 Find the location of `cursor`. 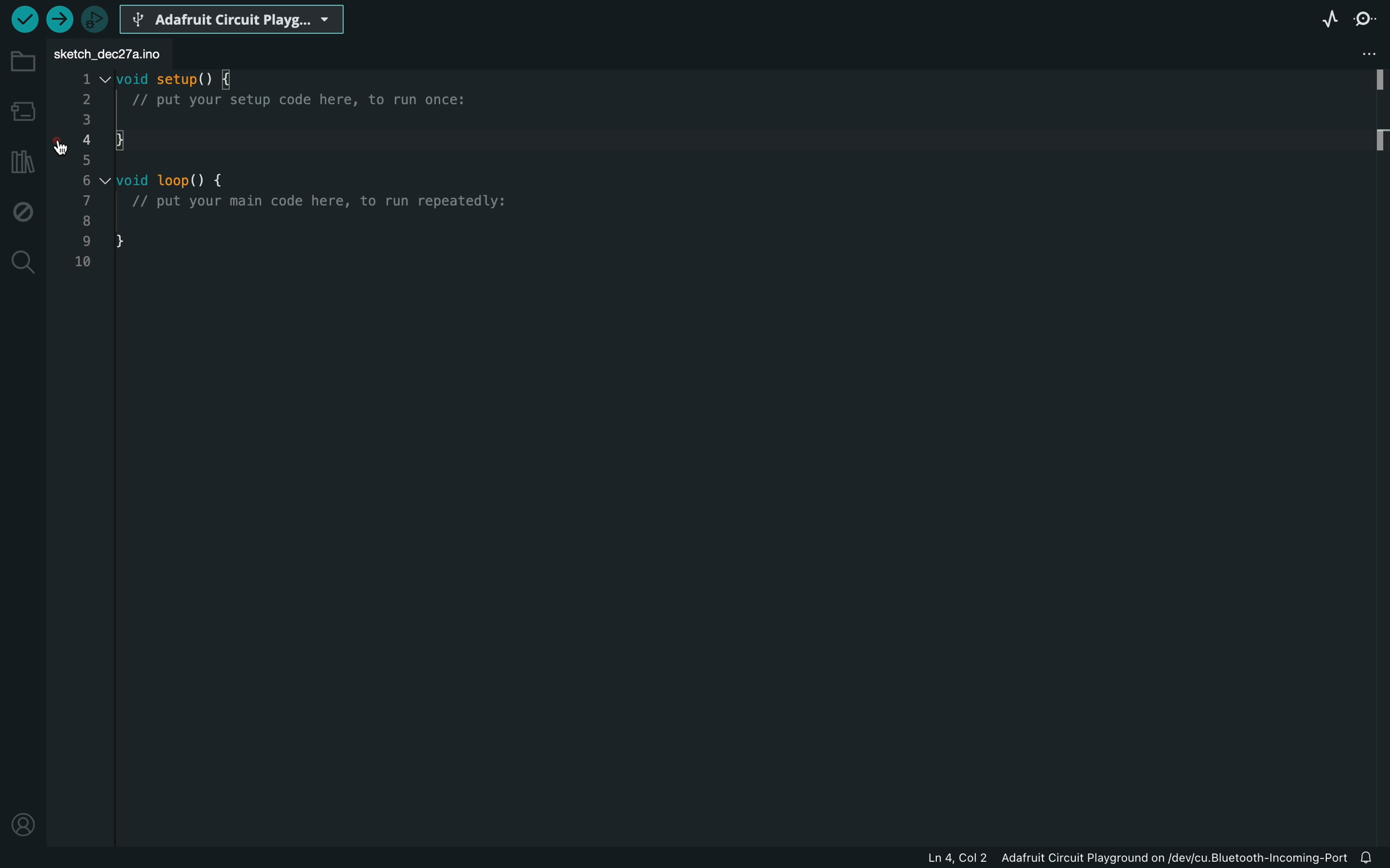

cursor is located at coordinates (64, 146).